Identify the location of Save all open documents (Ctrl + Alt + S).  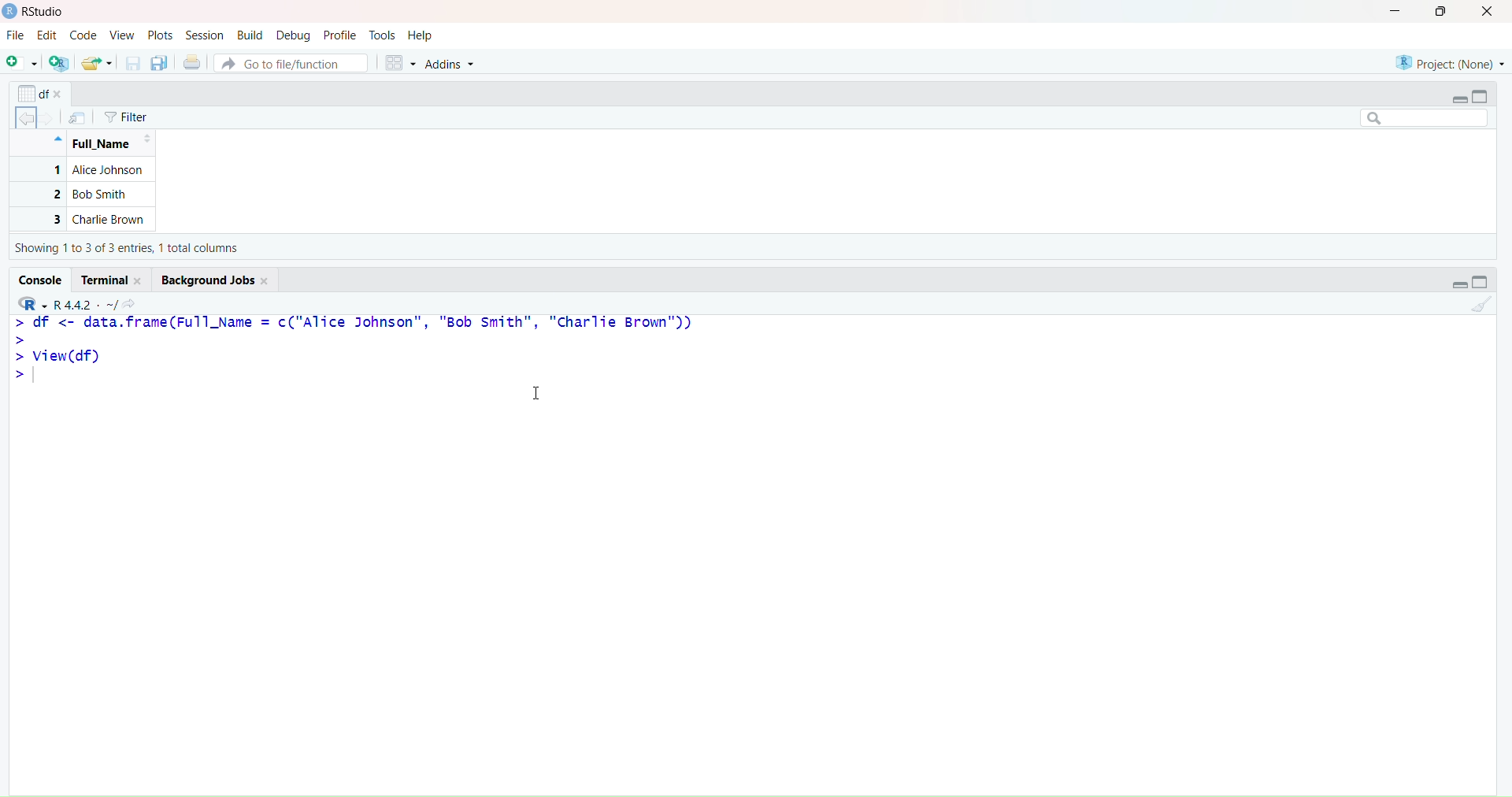
(159, 63).